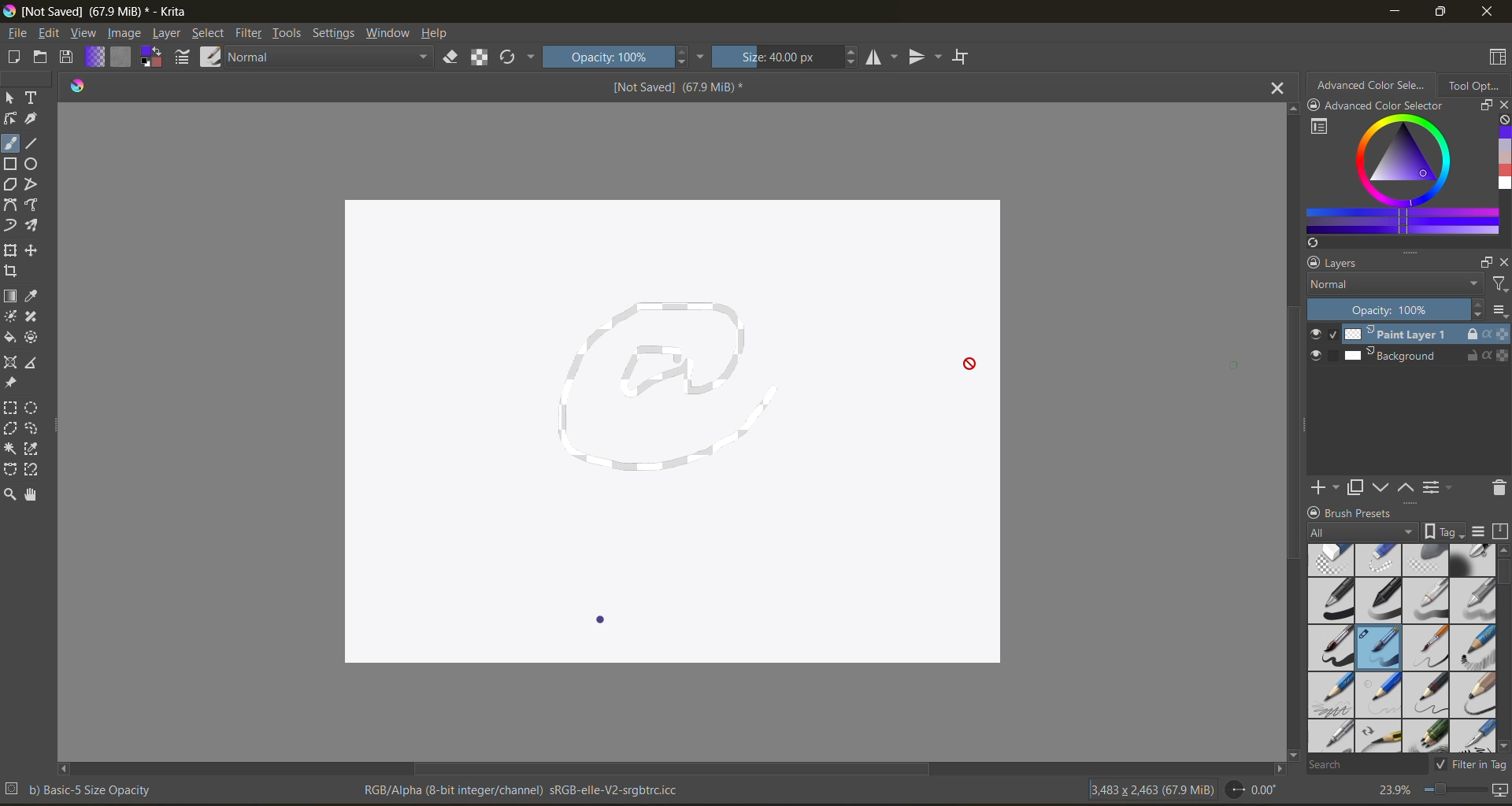  I want to click on zoom, so click(1466, 791).